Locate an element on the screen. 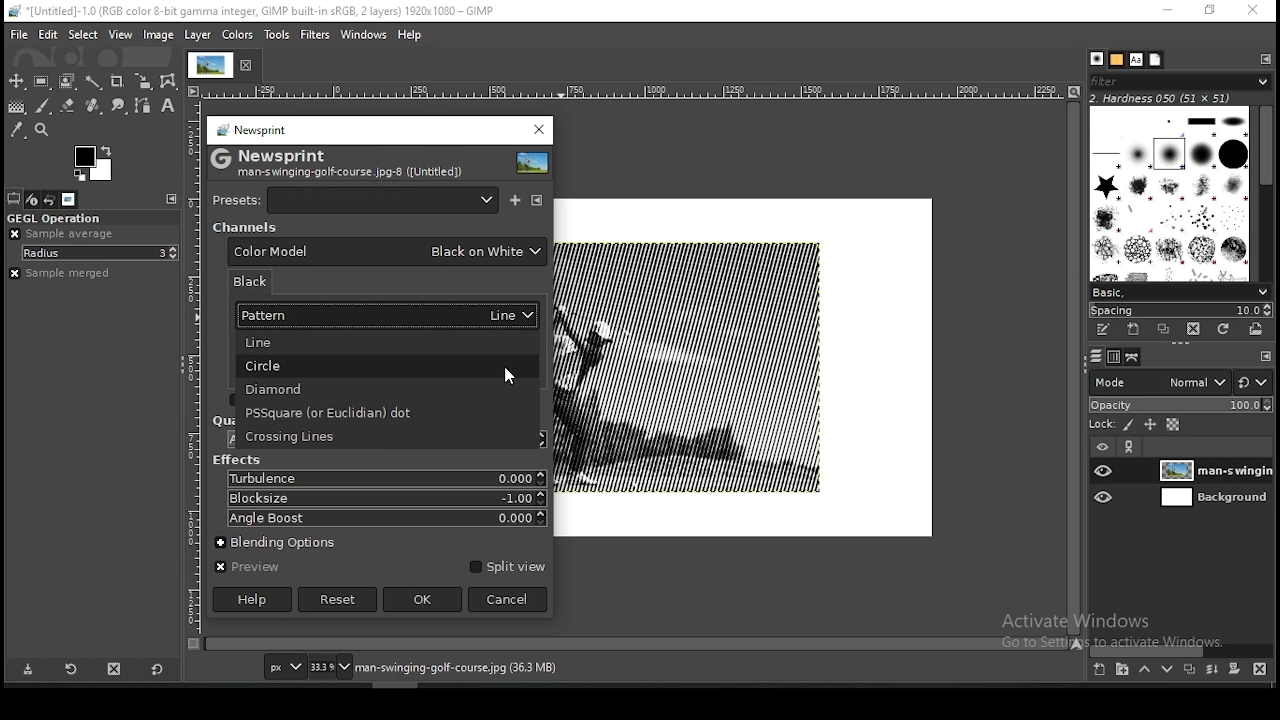 The image size is (1280, 720). diamond is located at coordinates (387, 391).